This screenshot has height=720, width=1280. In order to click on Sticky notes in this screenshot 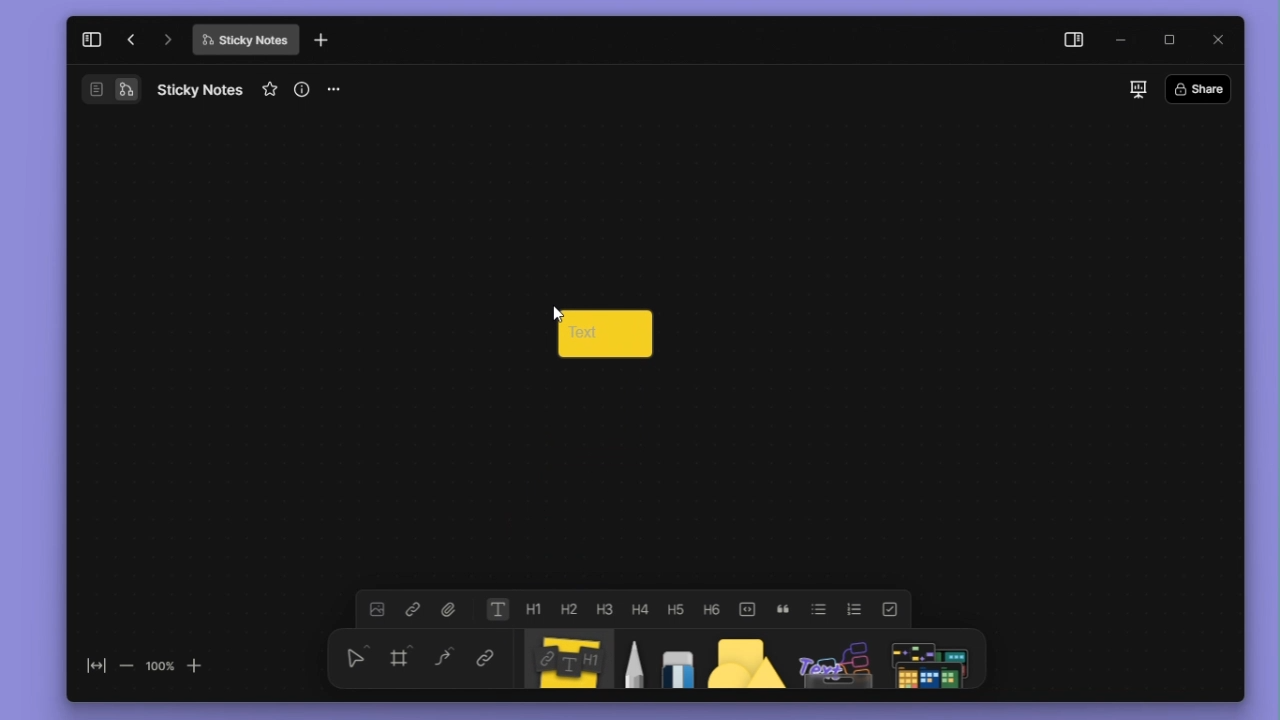, I will do `click(564, 659)`.